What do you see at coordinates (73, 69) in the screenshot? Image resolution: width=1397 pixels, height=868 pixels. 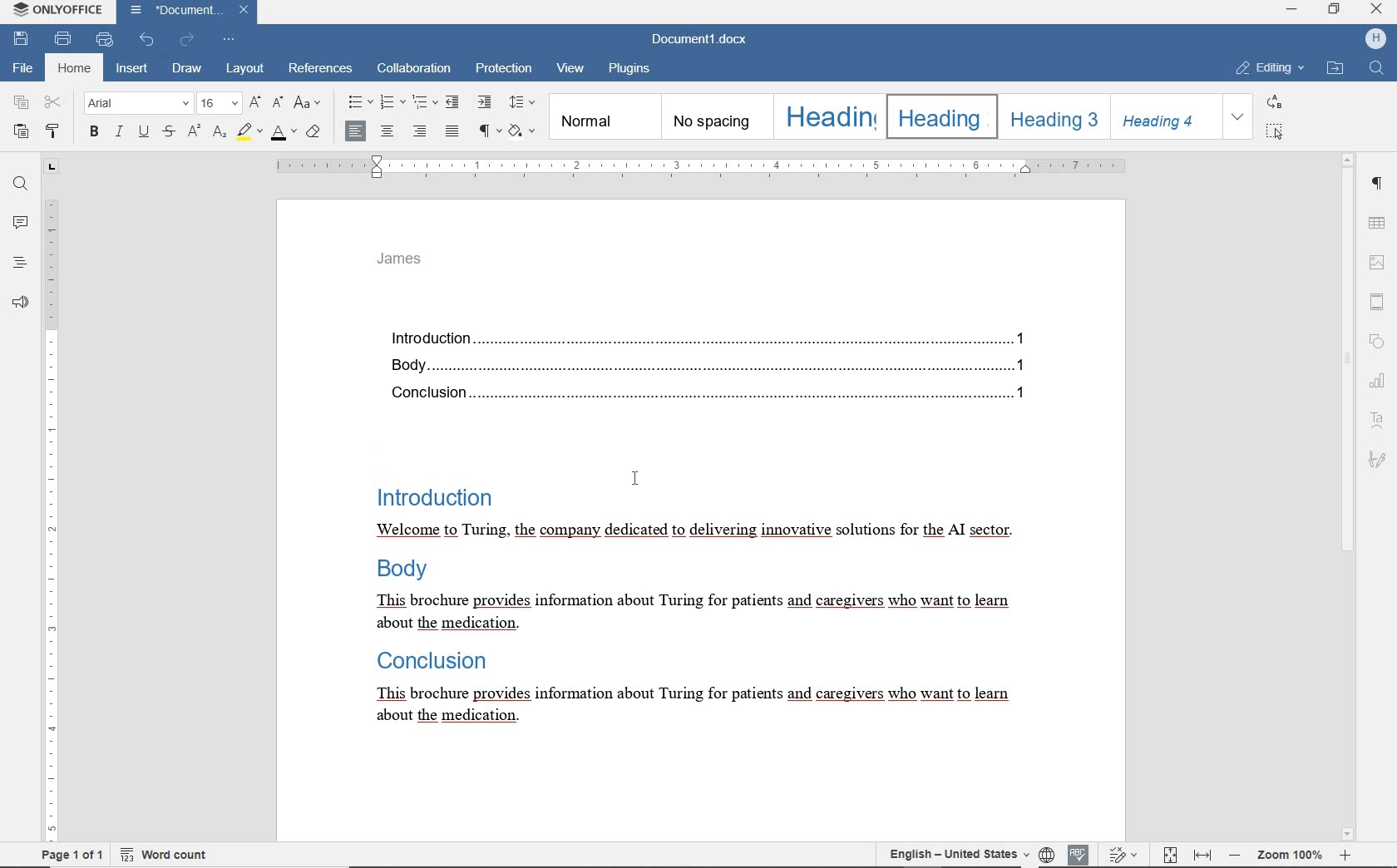 I see `home` at bounding box center [73, 69].